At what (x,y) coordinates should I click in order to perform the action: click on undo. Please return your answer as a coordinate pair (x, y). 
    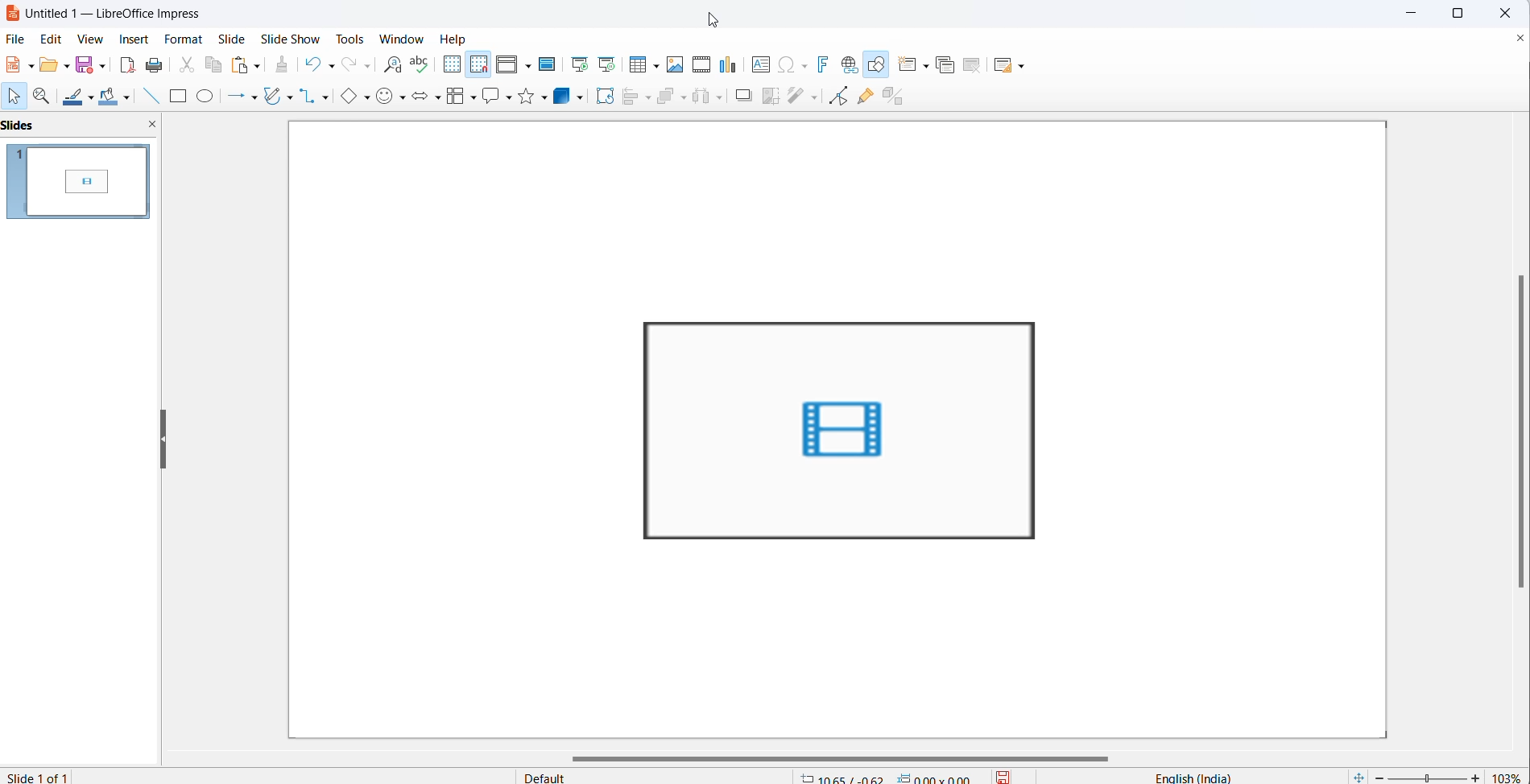
    Looking at the image, I should click on (310, 64).